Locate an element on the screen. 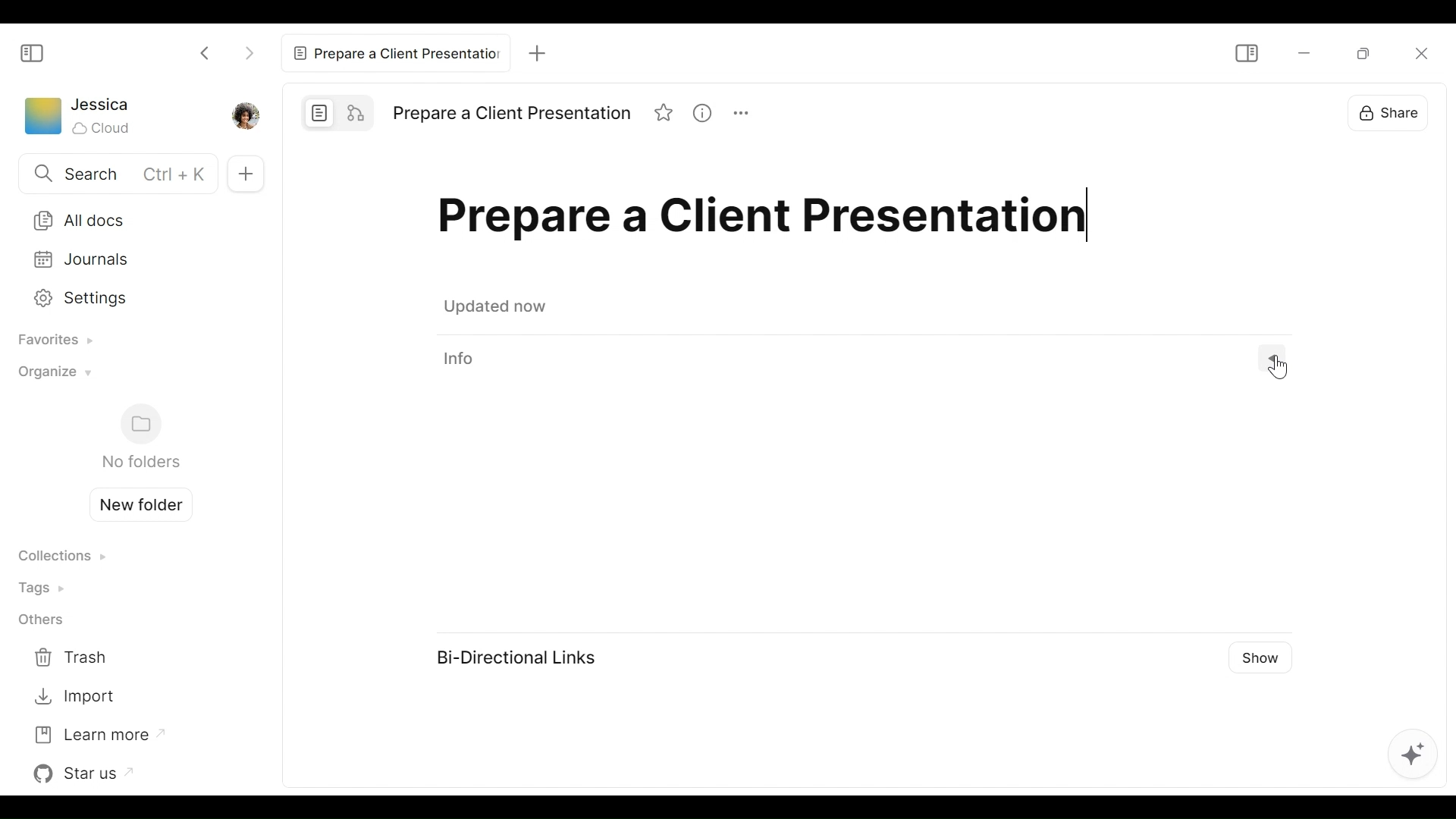  Favorites is located at coordinates (50, 341).